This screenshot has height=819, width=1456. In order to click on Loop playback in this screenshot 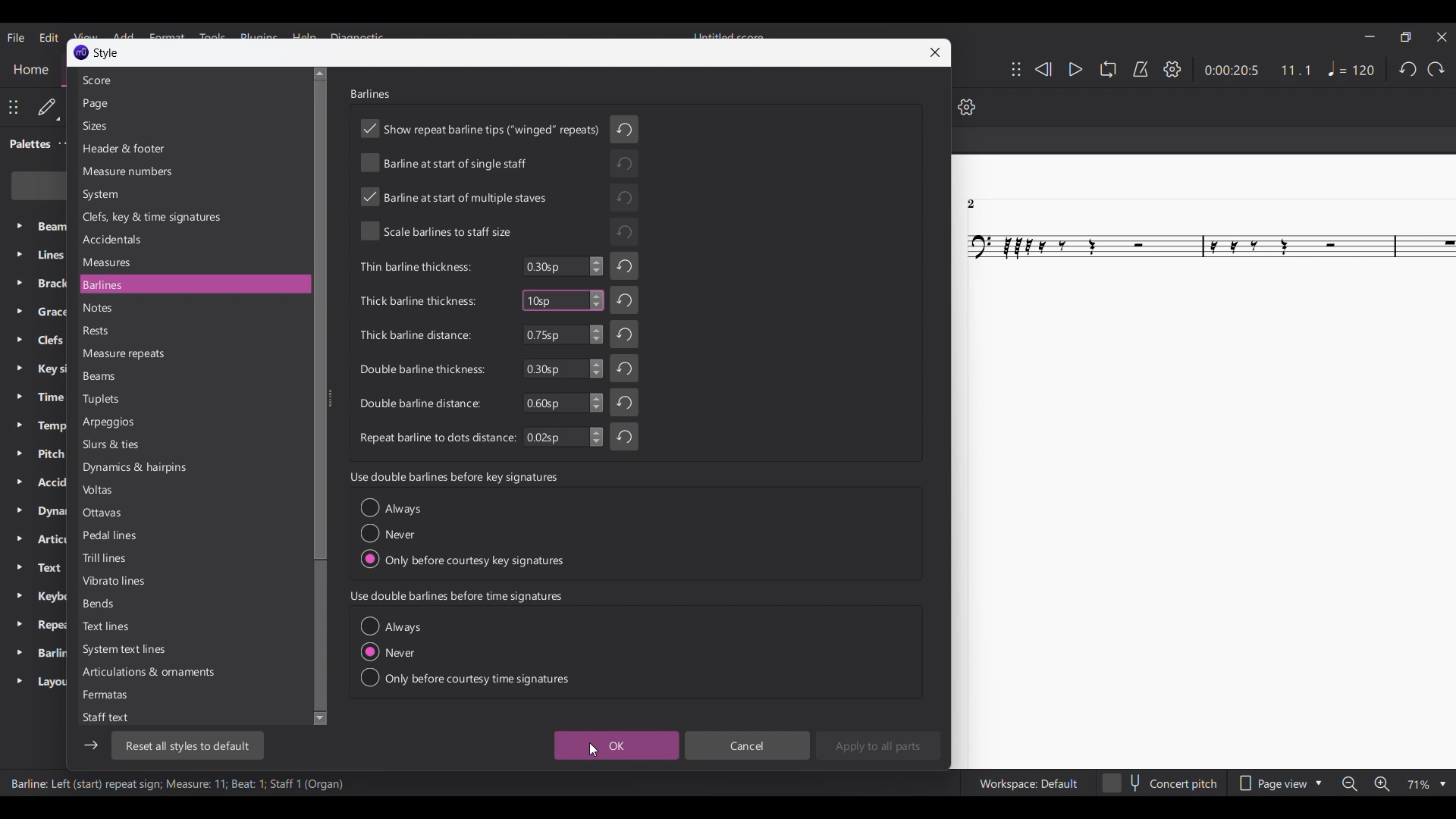, I will do `click(1108, 69)`.